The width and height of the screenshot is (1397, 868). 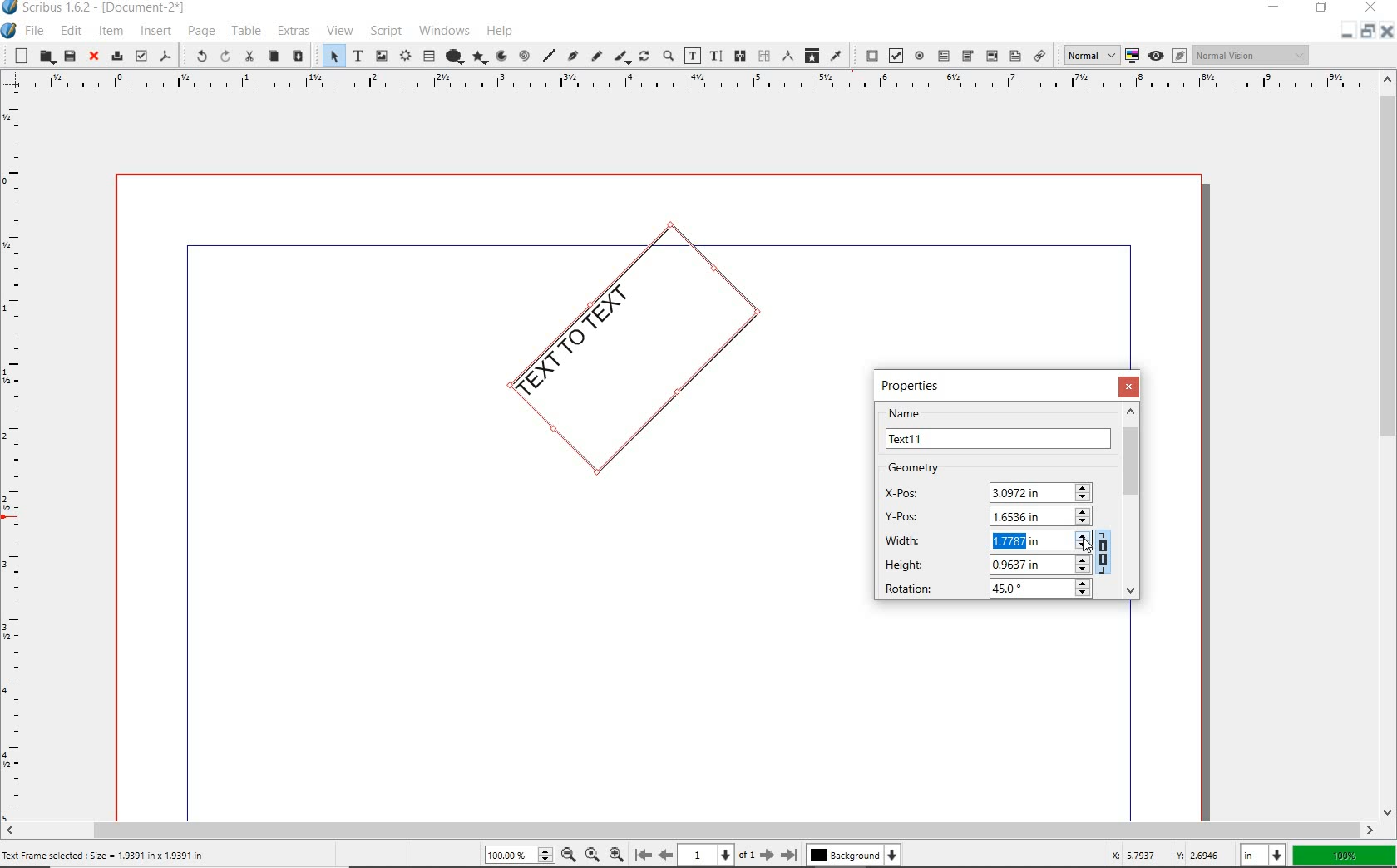 I want to click on HEIGHT, so click(x=982, y=565).